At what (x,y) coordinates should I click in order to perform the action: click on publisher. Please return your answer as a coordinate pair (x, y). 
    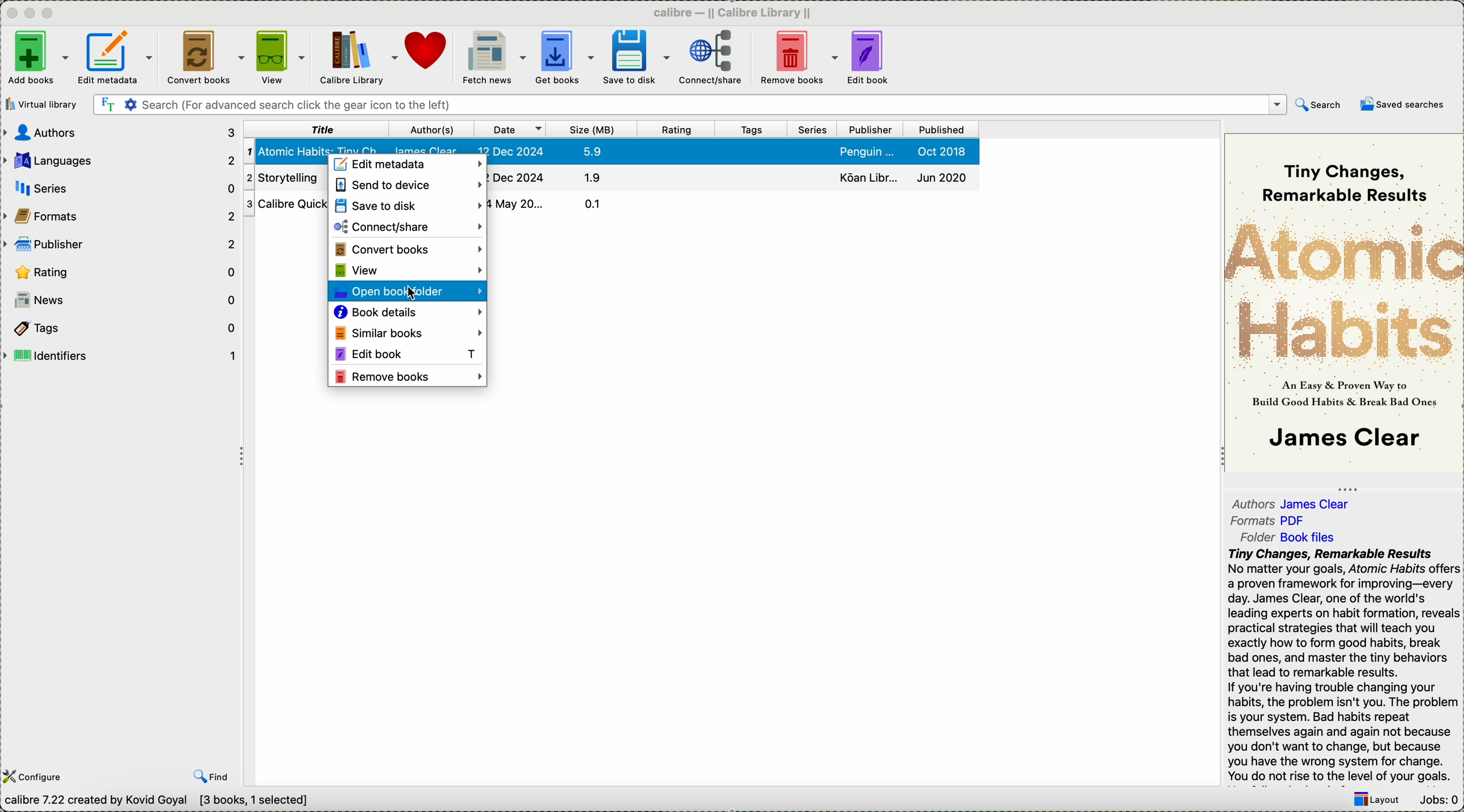
    Looking at the image, I should click on (873, 130).